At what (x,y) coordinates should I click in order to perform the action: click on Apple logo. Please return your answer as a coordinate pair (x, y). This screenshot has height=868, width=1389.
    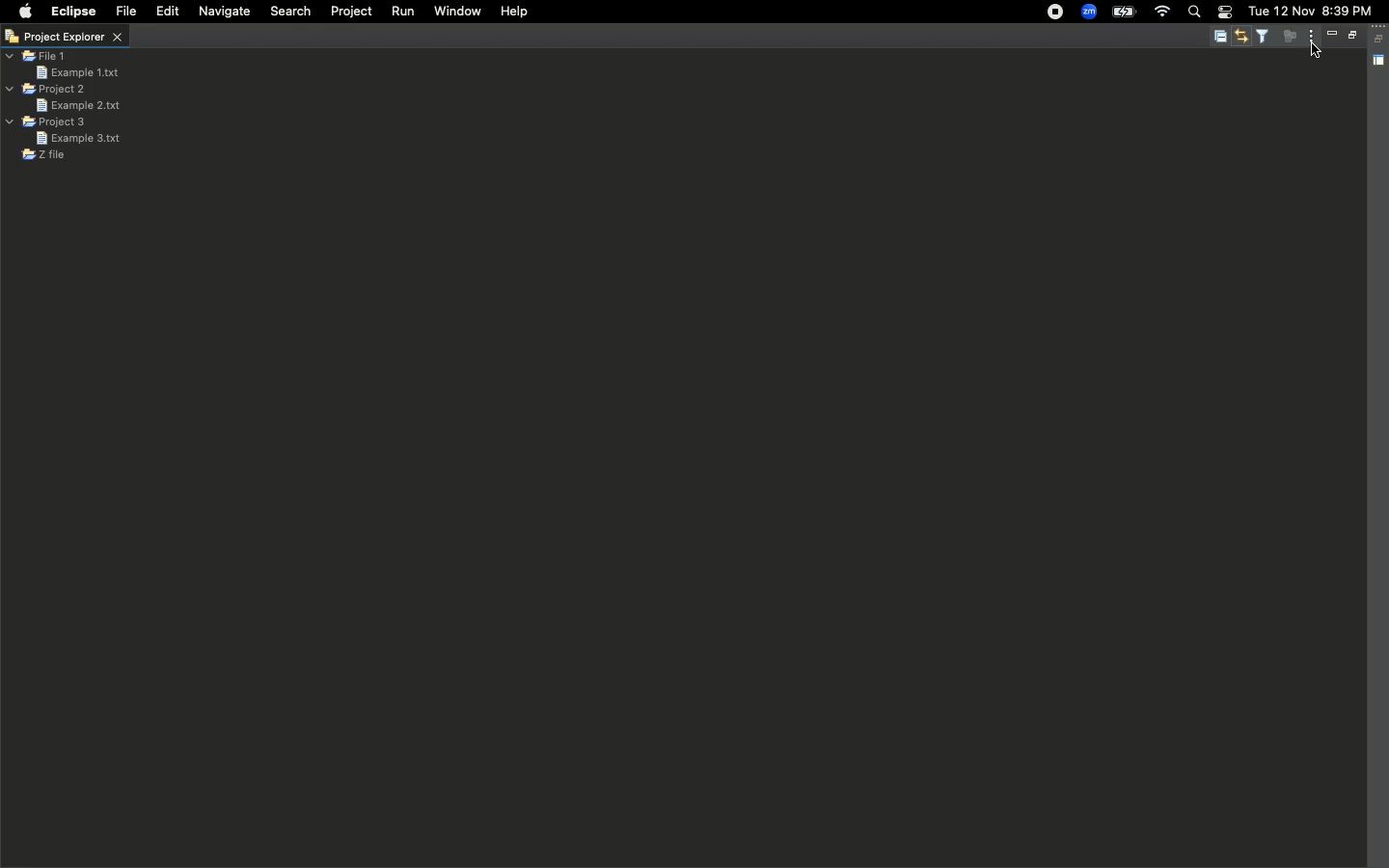
    Looking at the image, I should click on (26, 11).